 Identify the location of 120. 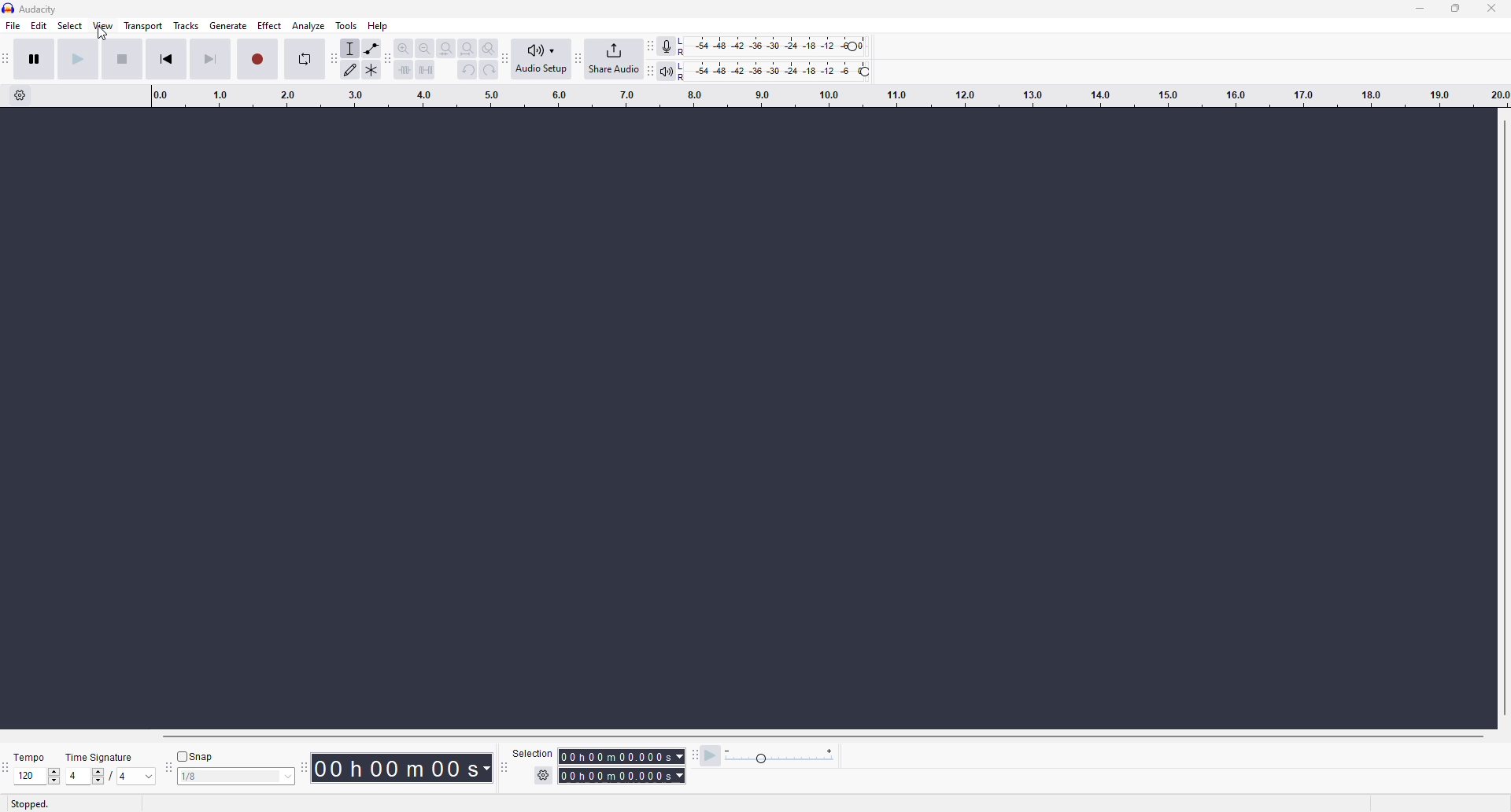
(24, 777).